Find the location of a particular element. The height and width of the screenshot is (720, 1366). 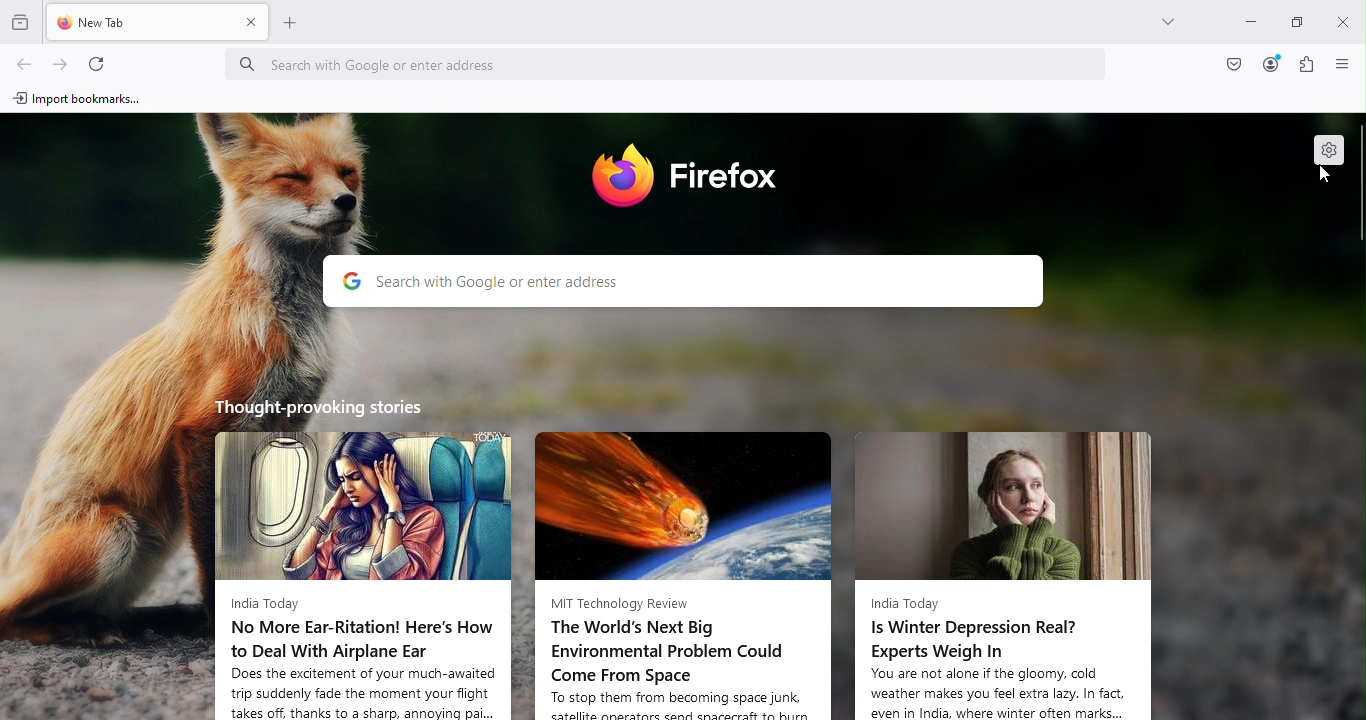

New articles is located at coordinates (363, 557).